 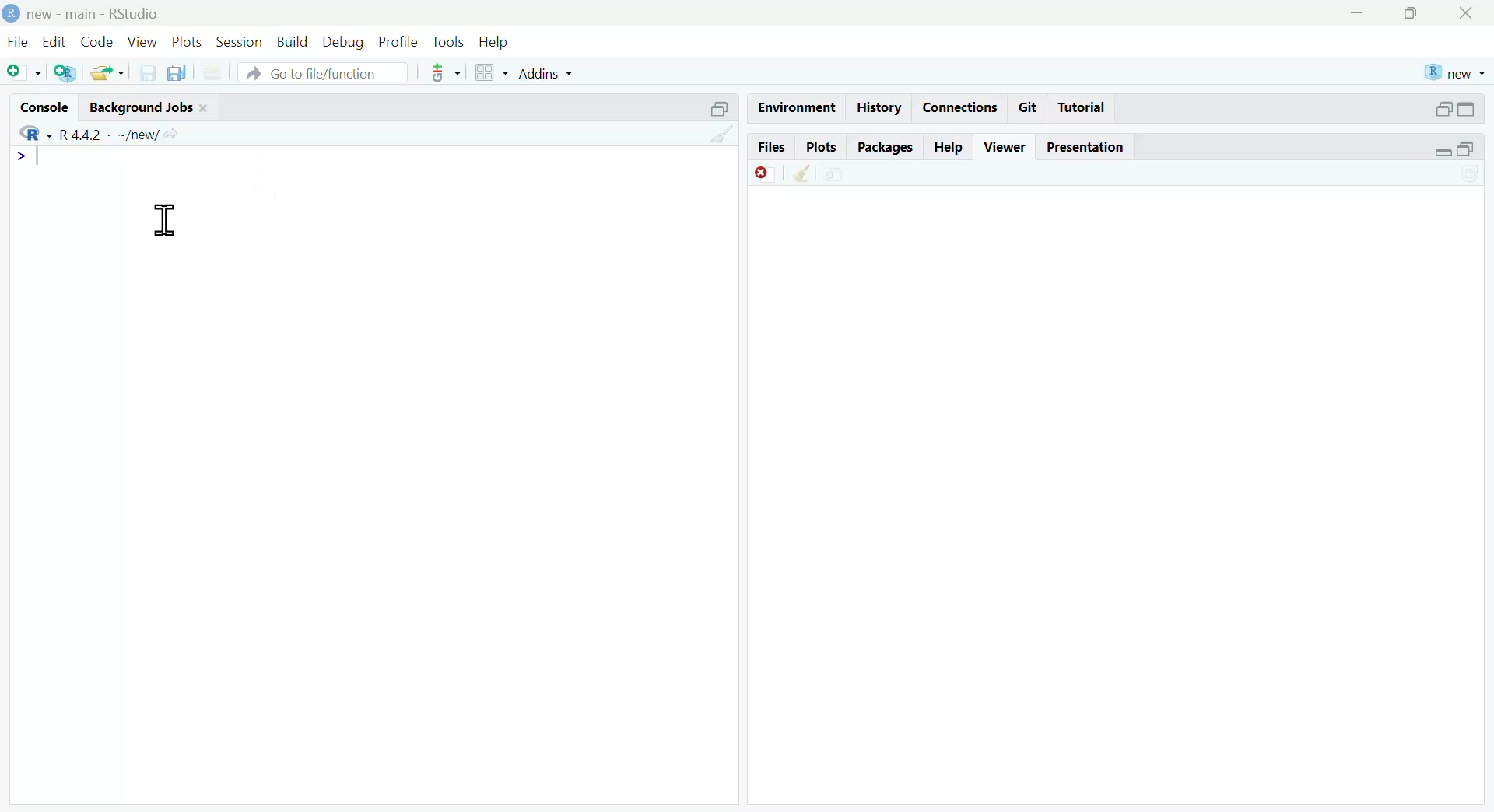 What do you see at coordinates (1468, 110) in the screenshot?
I see `maximize` at bounding box center [1468, 110].